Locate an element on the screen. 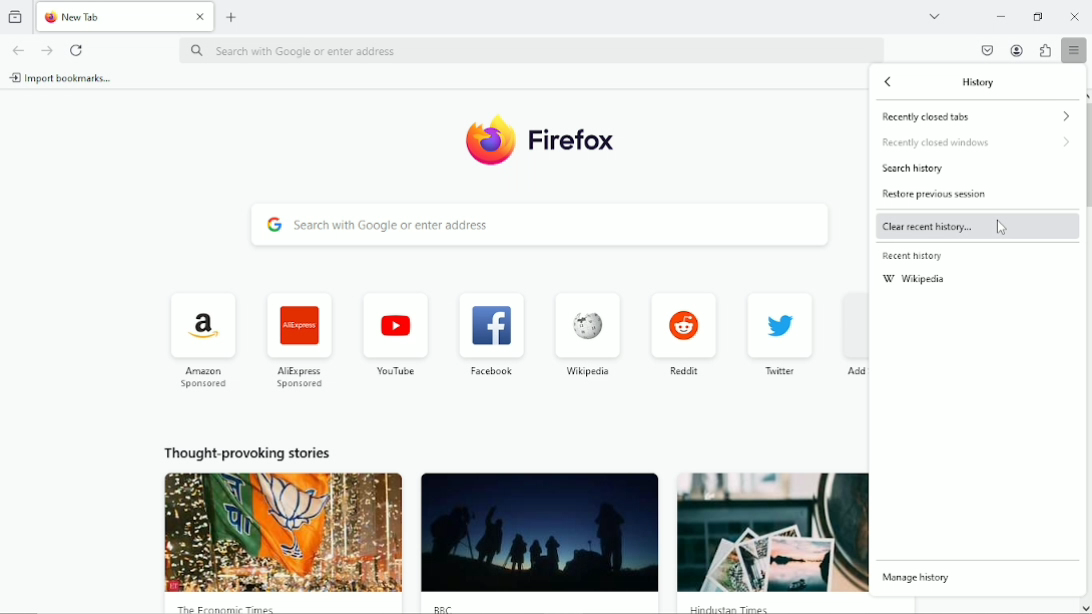 The width and height of the screenshot is (1092, 614). AliExpress Sponsored is located at coordinates (300, 339).